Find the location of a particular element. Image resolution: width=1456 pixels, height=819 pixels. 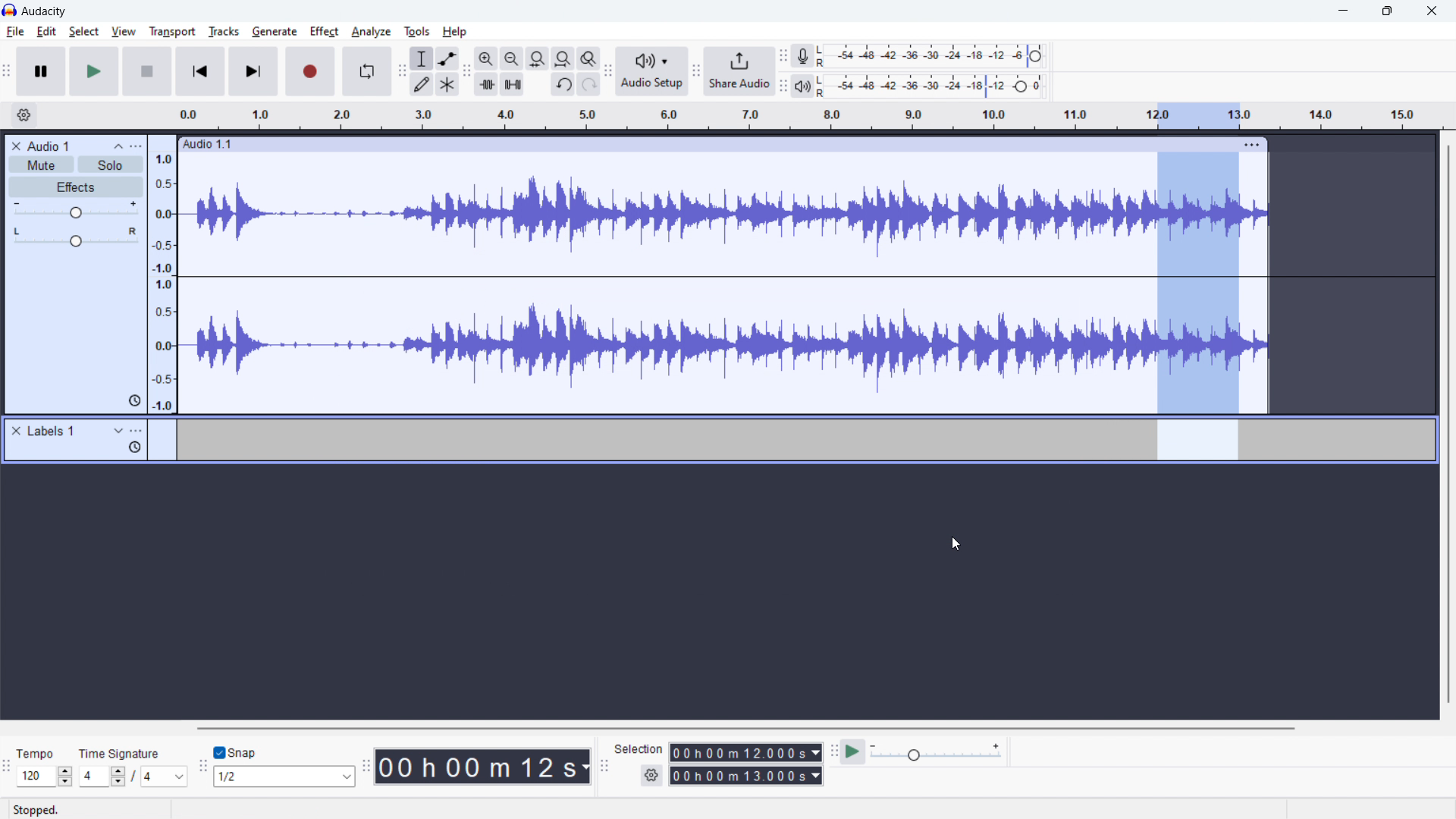

horizontal scrollbar is located at coordinates (748, 728).